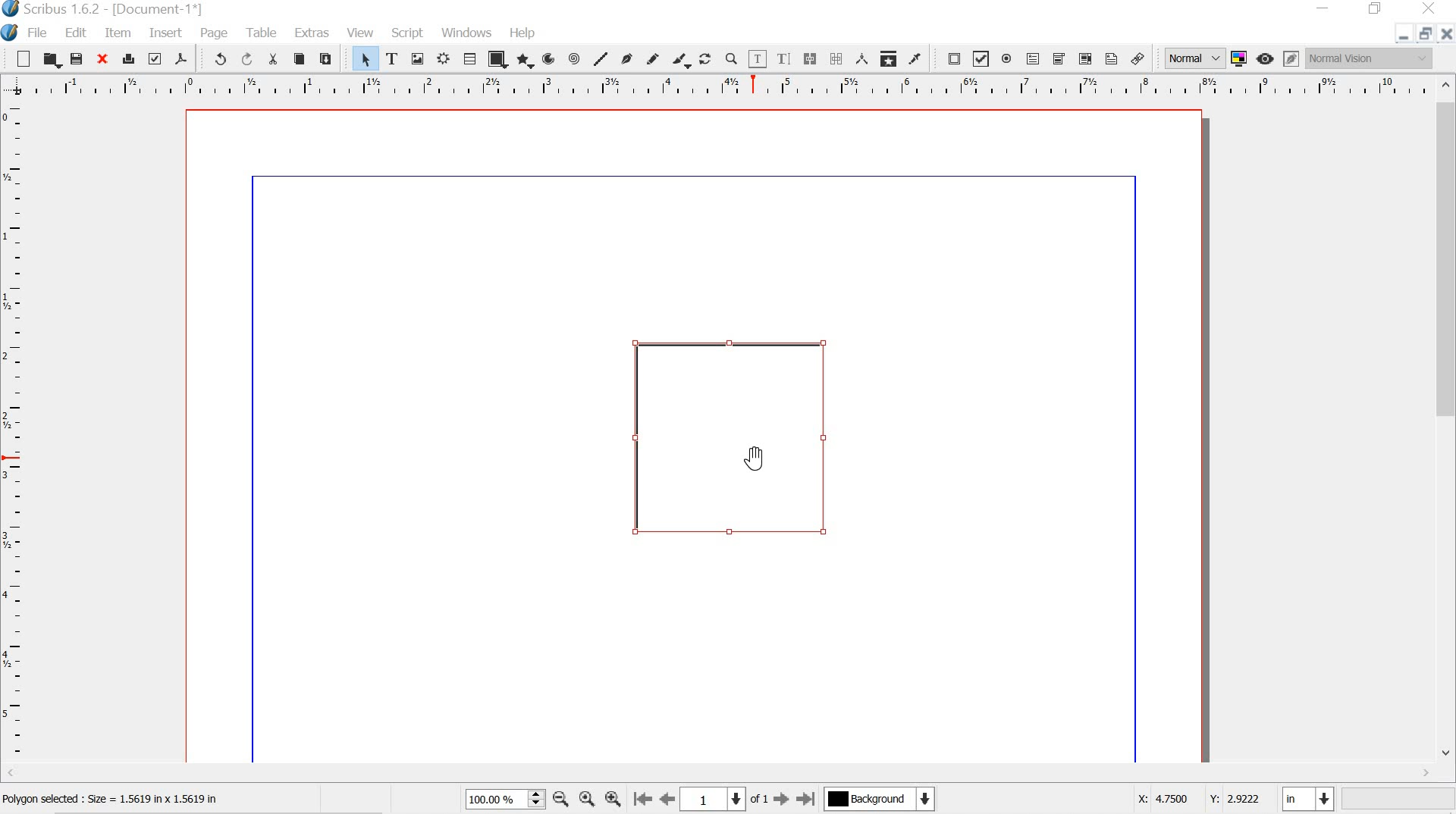 The image size is (1456, 814). What do you see at coordinates (418, 58) in the screenshot?
I see `image frame` at bounding box center [418, 58].